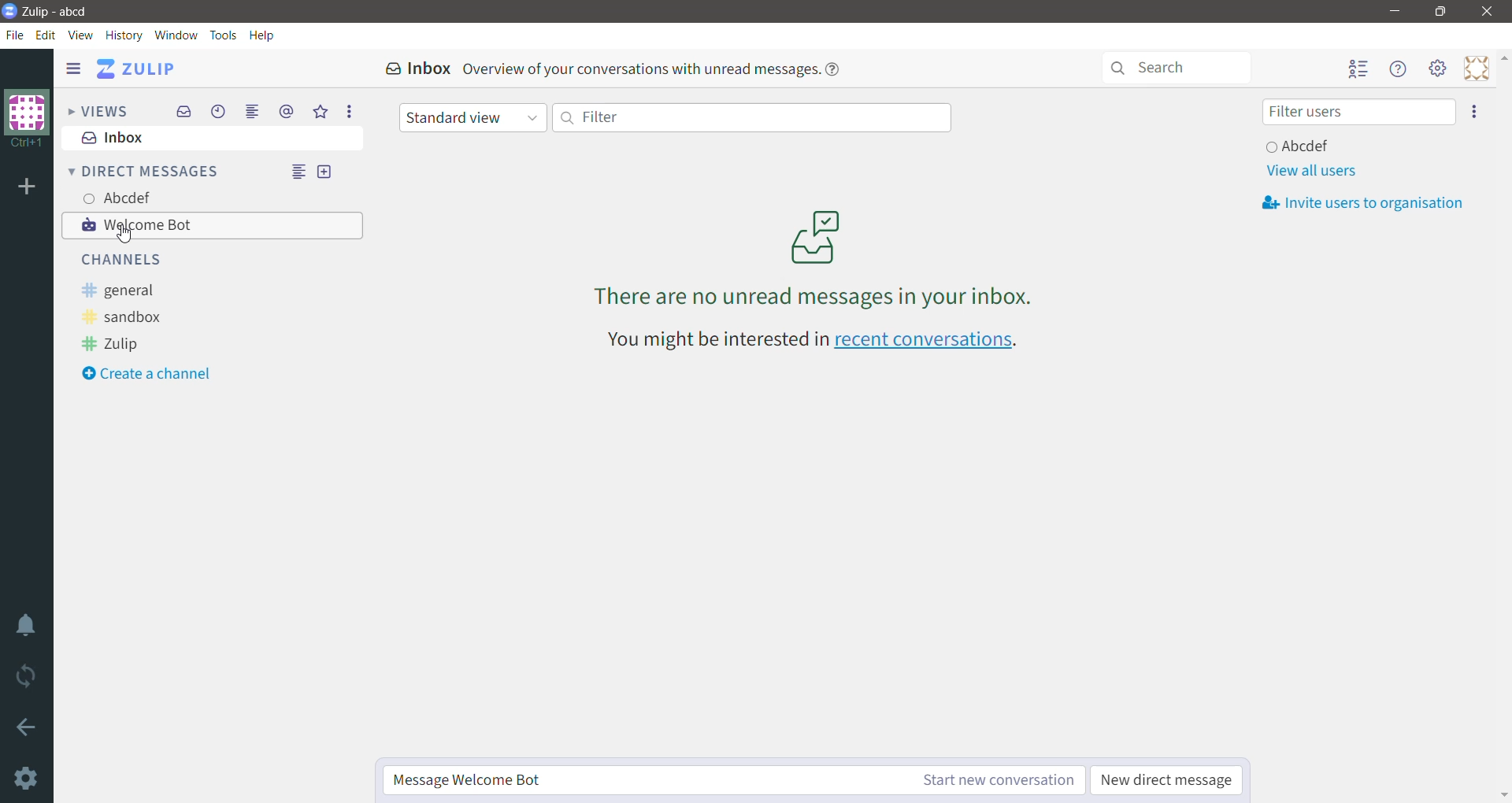  I want to click on general, so click(115, 292).